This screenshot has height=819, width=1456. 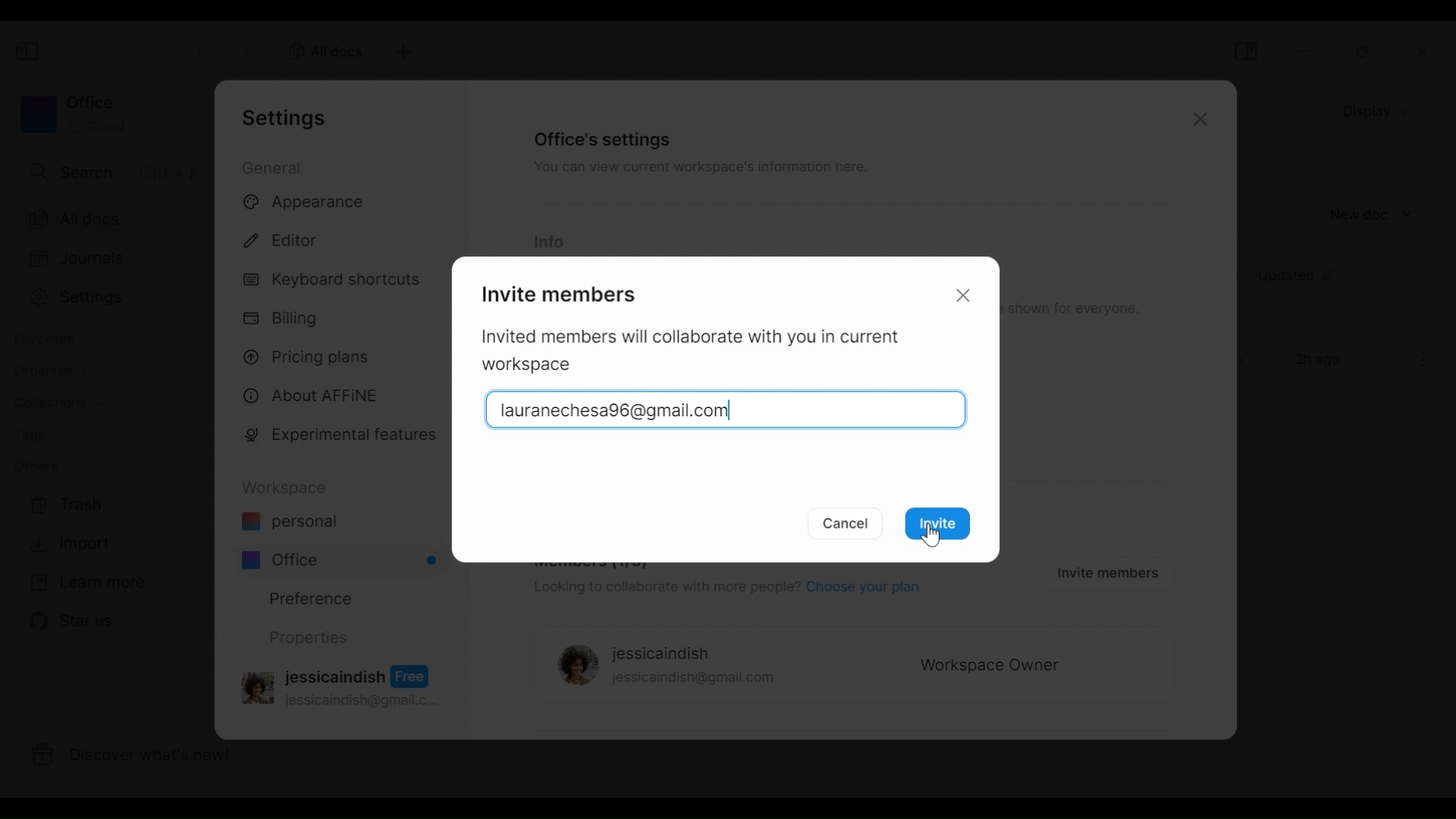 What do you see at coordinates (847, 523) in the screenshot?
I see `cancel` at bounding box center [847, 523].